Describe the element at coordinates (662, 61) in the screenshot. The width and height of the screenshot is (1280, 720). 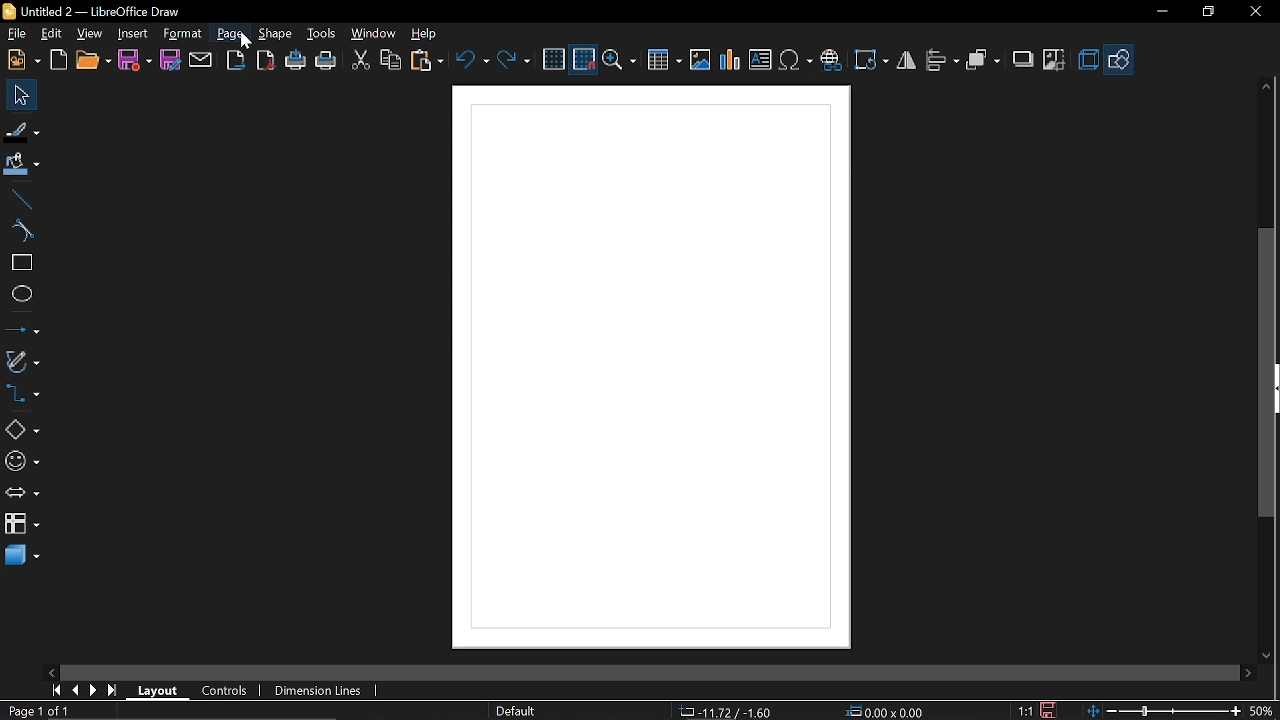
I see `Insert table` at that location.